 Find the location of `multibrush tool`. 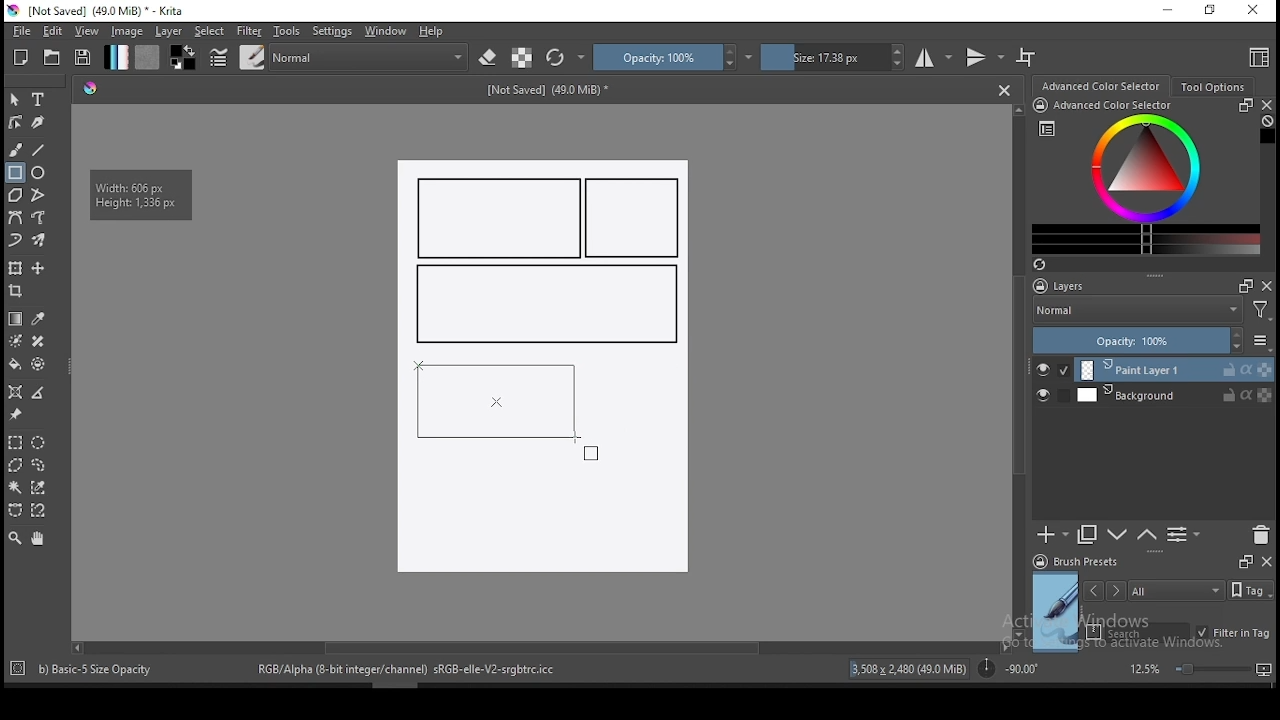

multibrush tool is located at coordinates (40, 242).